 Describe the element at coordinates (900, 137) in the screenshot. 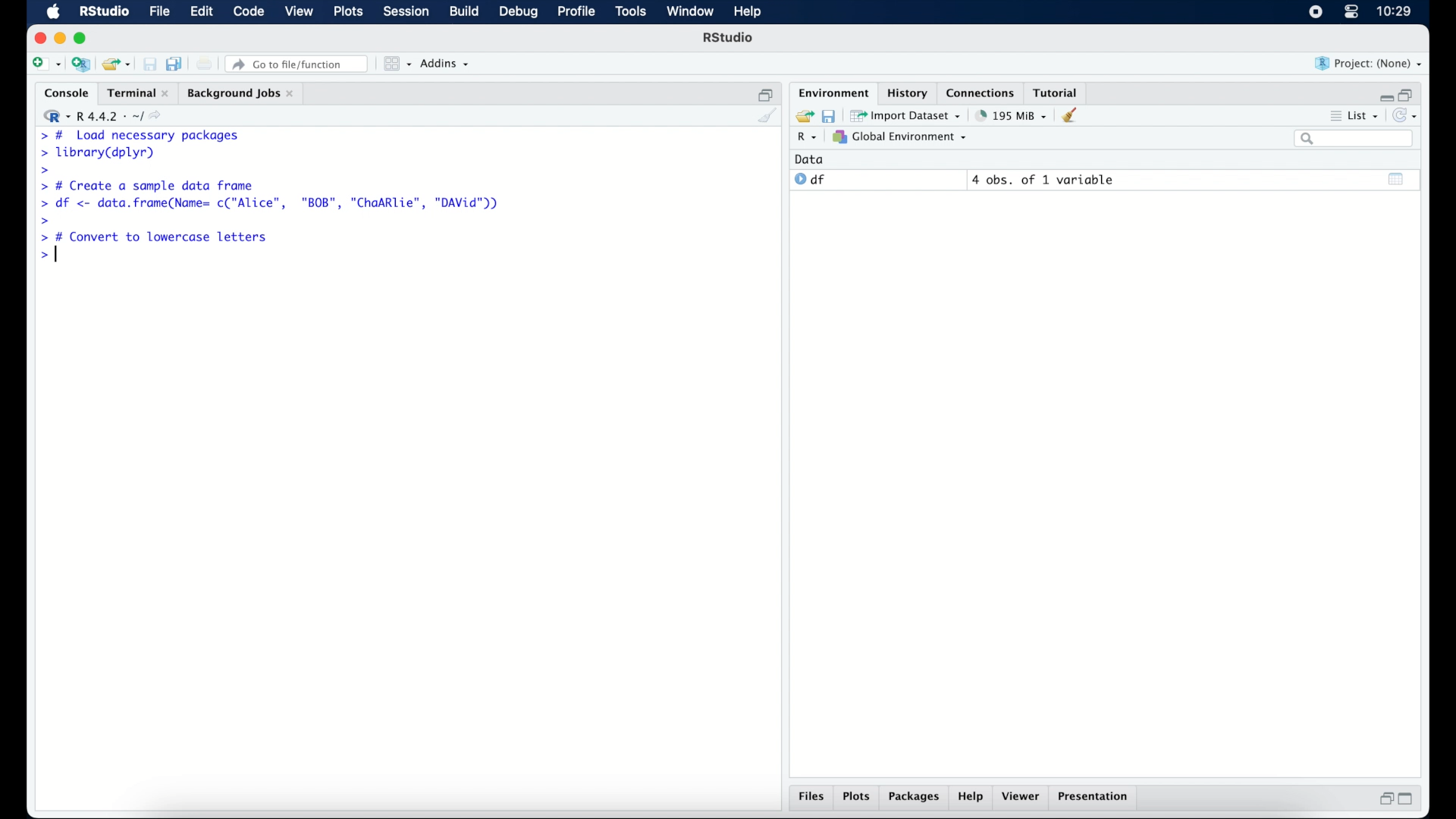

I see `global environment` at that location.